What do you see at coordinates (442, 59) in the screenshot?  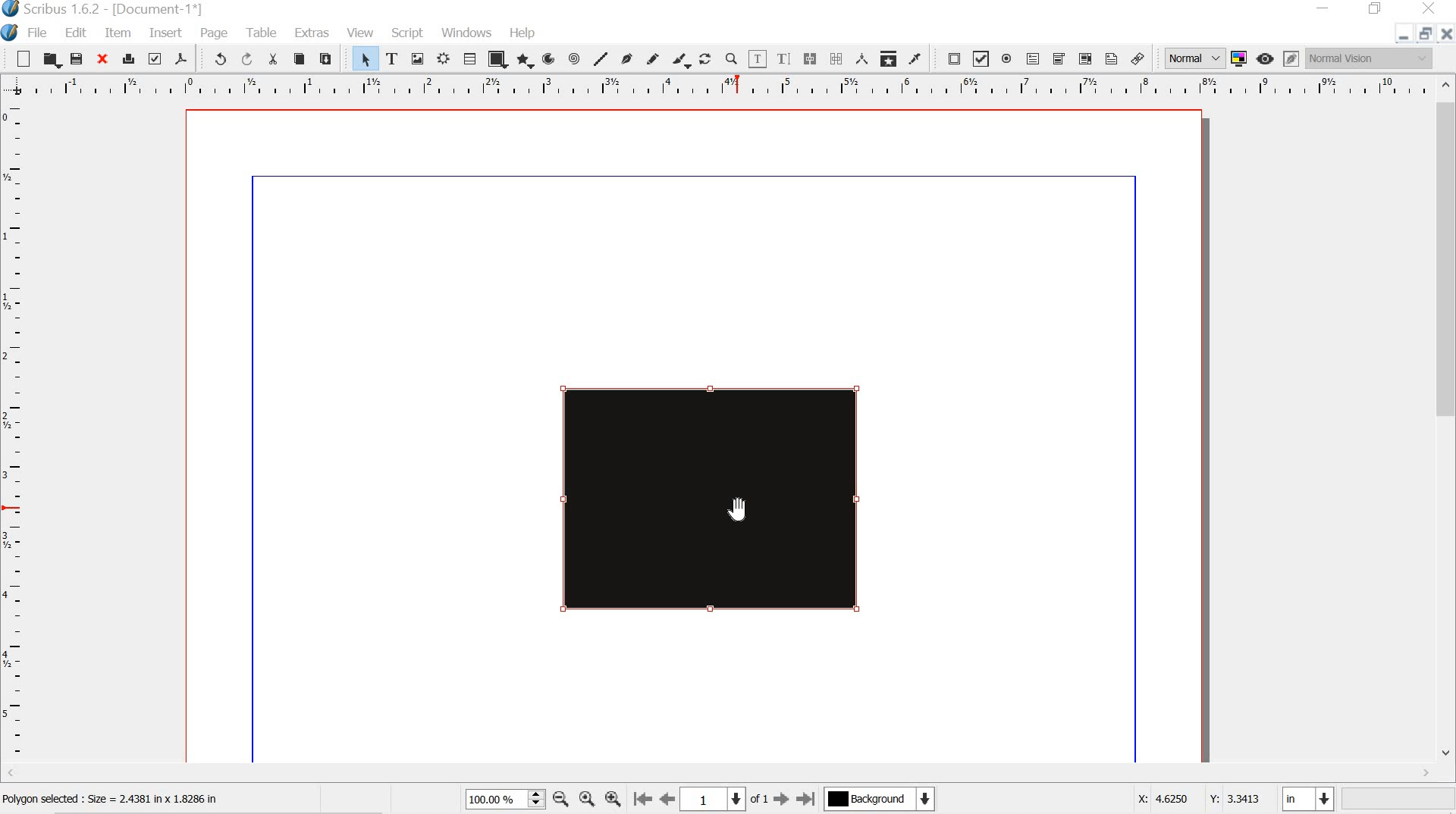 I see `Render frame` at bounding box center [442, 59].